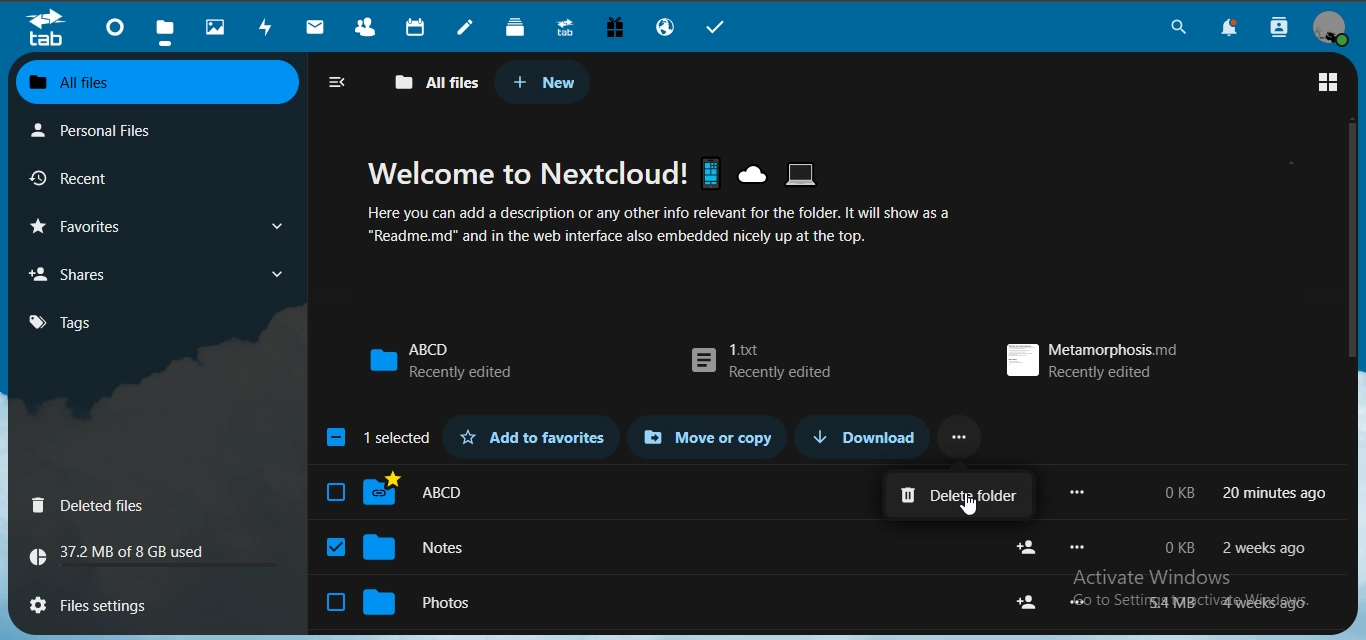 This screenshot has width=1366, height=640. What do you see at coordinates (1334, 27) in the screenshot?
I see `view profile` at bounding box center [1334, 27].